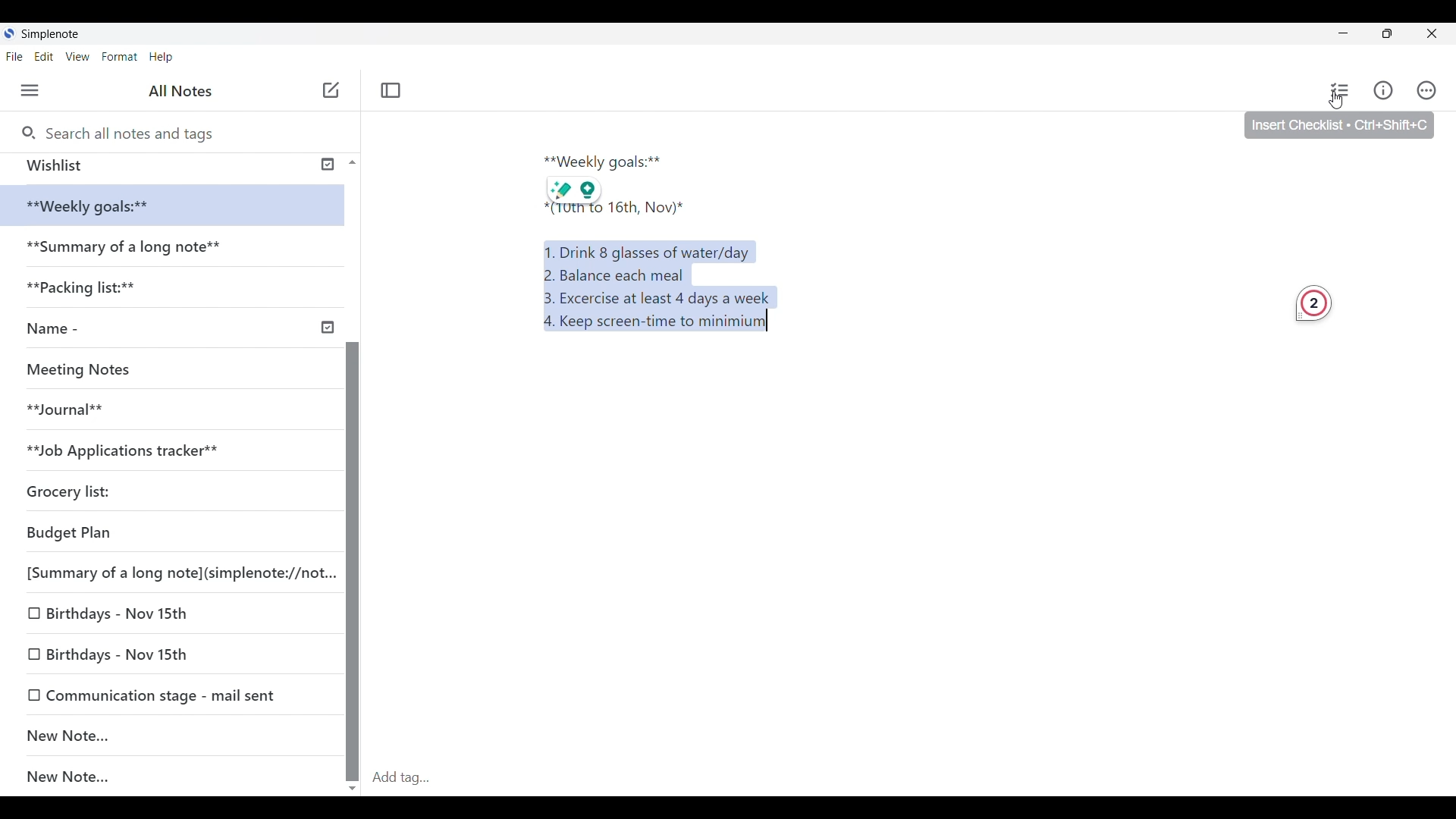 The image size is (1456, 819). What do you see at coordinates (130, 131) in the screenshot?
I see `Search all notes and tags` at bounding box center [130, 131].